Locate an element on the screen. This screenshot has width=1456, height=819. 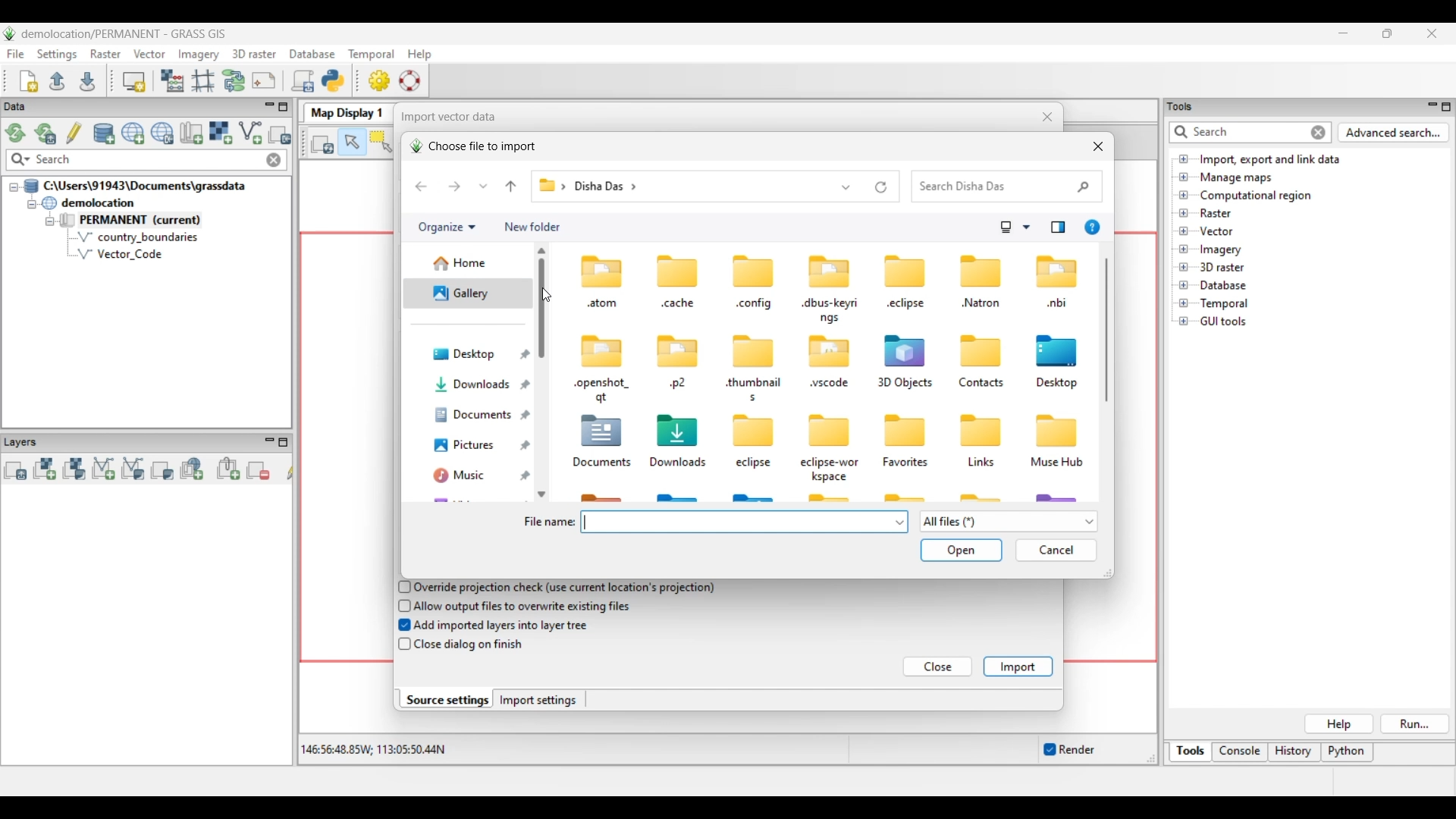
Add vector map layer is located at coordinates (104, 469).